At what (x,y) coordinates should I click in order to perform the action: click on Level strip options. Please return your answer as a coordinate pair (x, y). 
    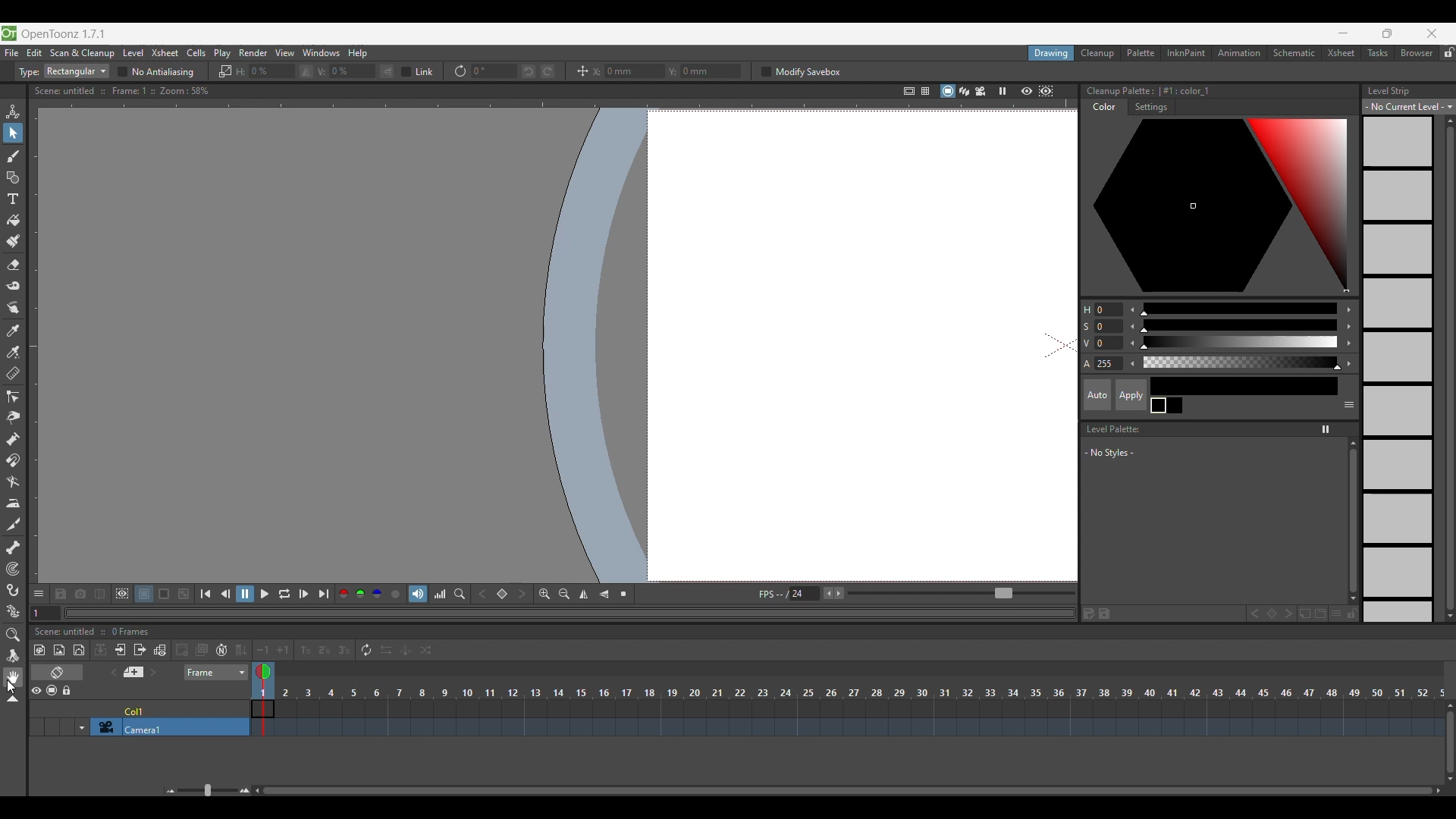
    Looking at the image, I should click on (1409, 107).